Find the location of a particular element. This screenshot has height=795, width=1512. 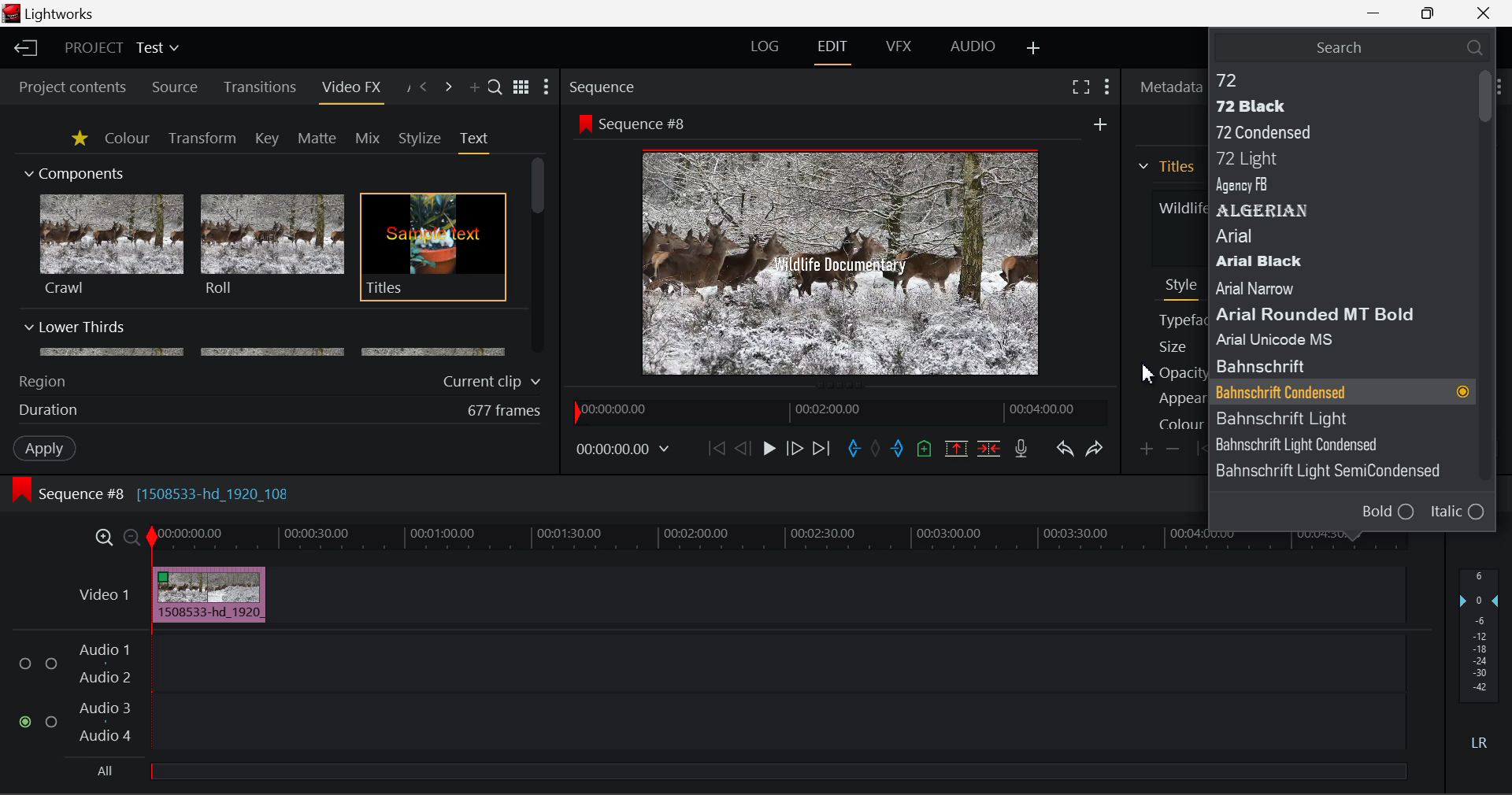

Italic is located at coordinates (1458, 512).